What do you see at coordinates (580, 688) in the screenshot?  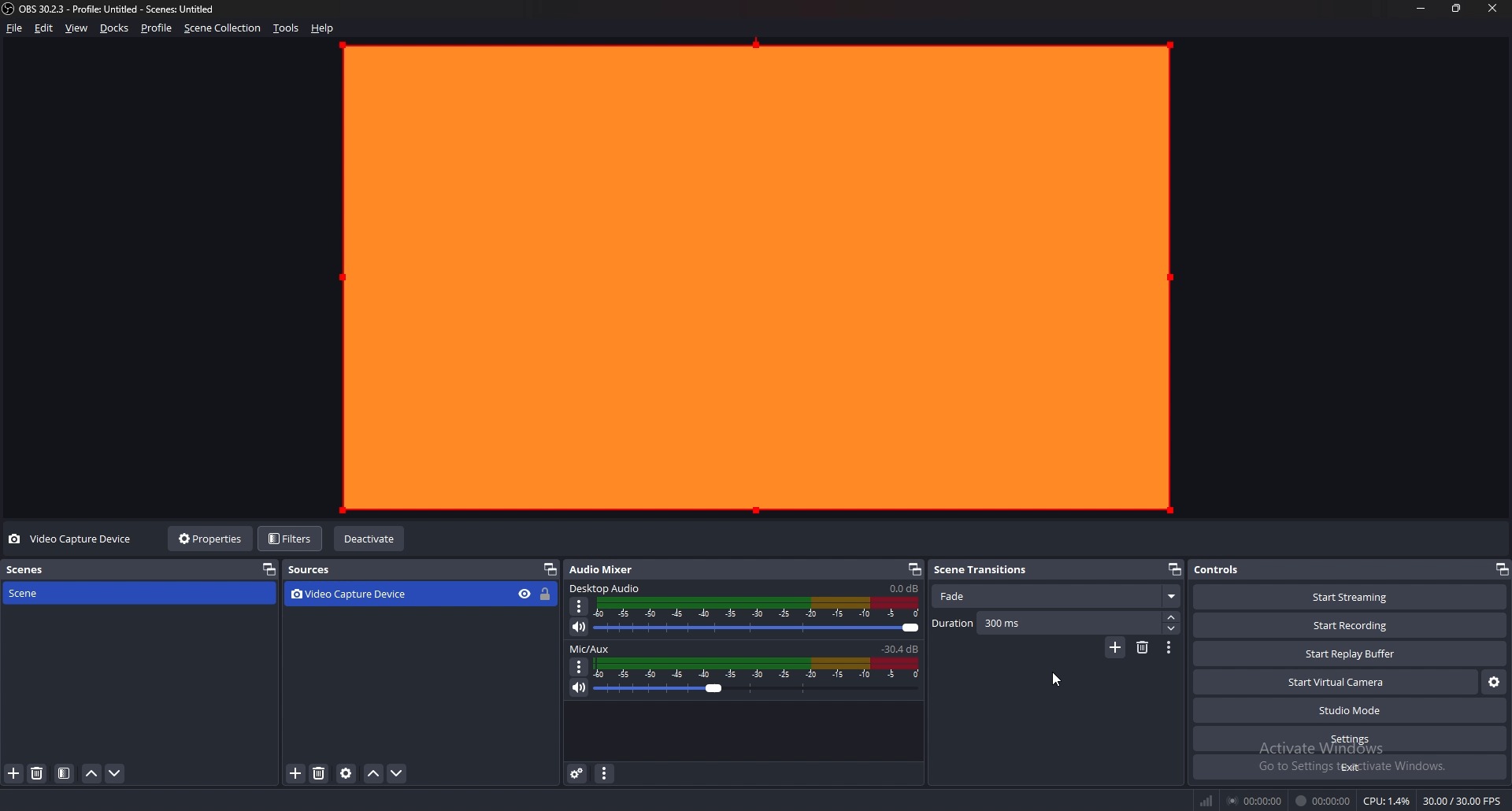 I see `mute` at bounding box center [580, 688].